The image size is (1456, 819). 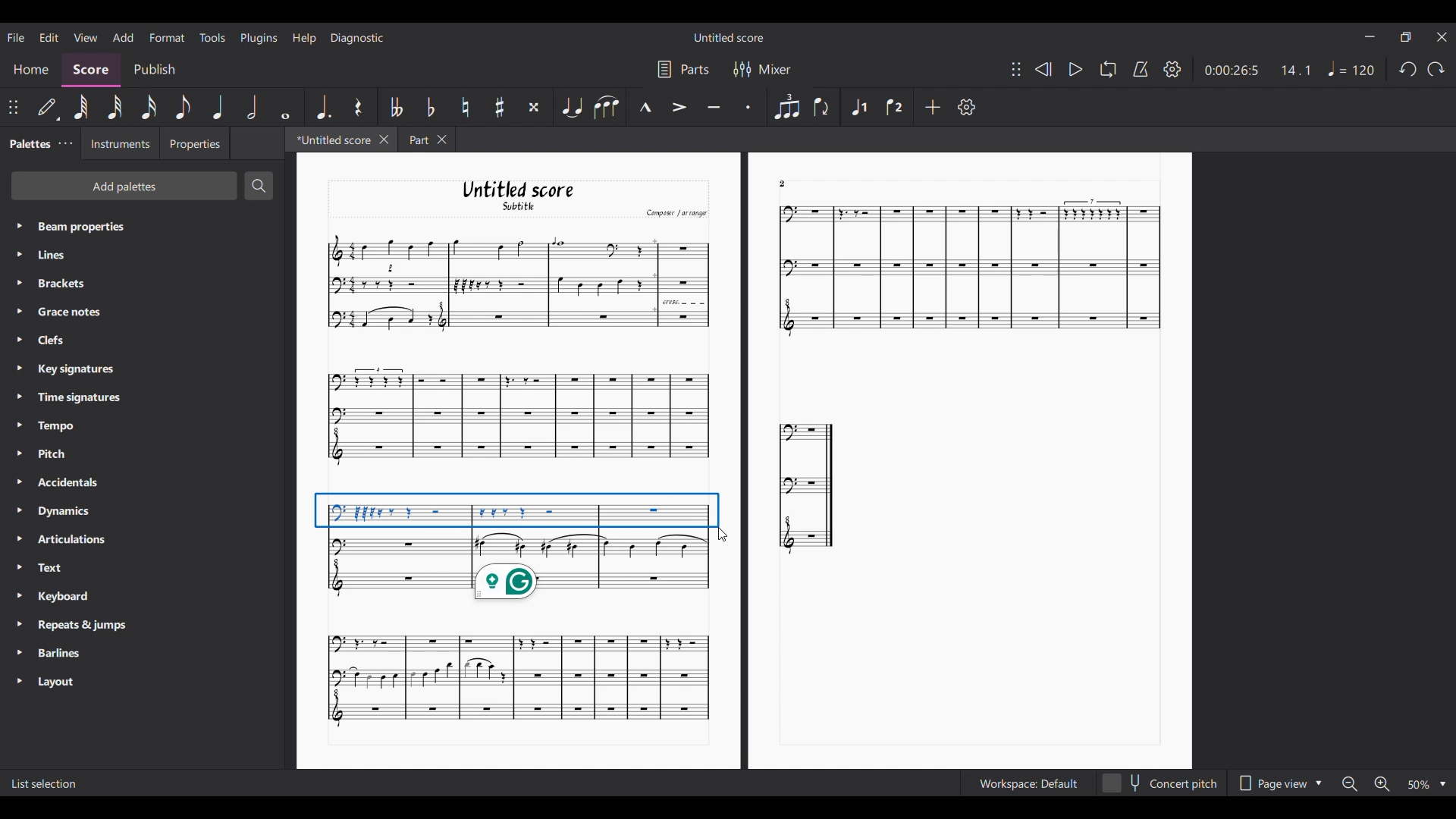 What do you see at coordinates (81, 107) in the screenshot?
I see `64th note` at bounding box center [81, 107].